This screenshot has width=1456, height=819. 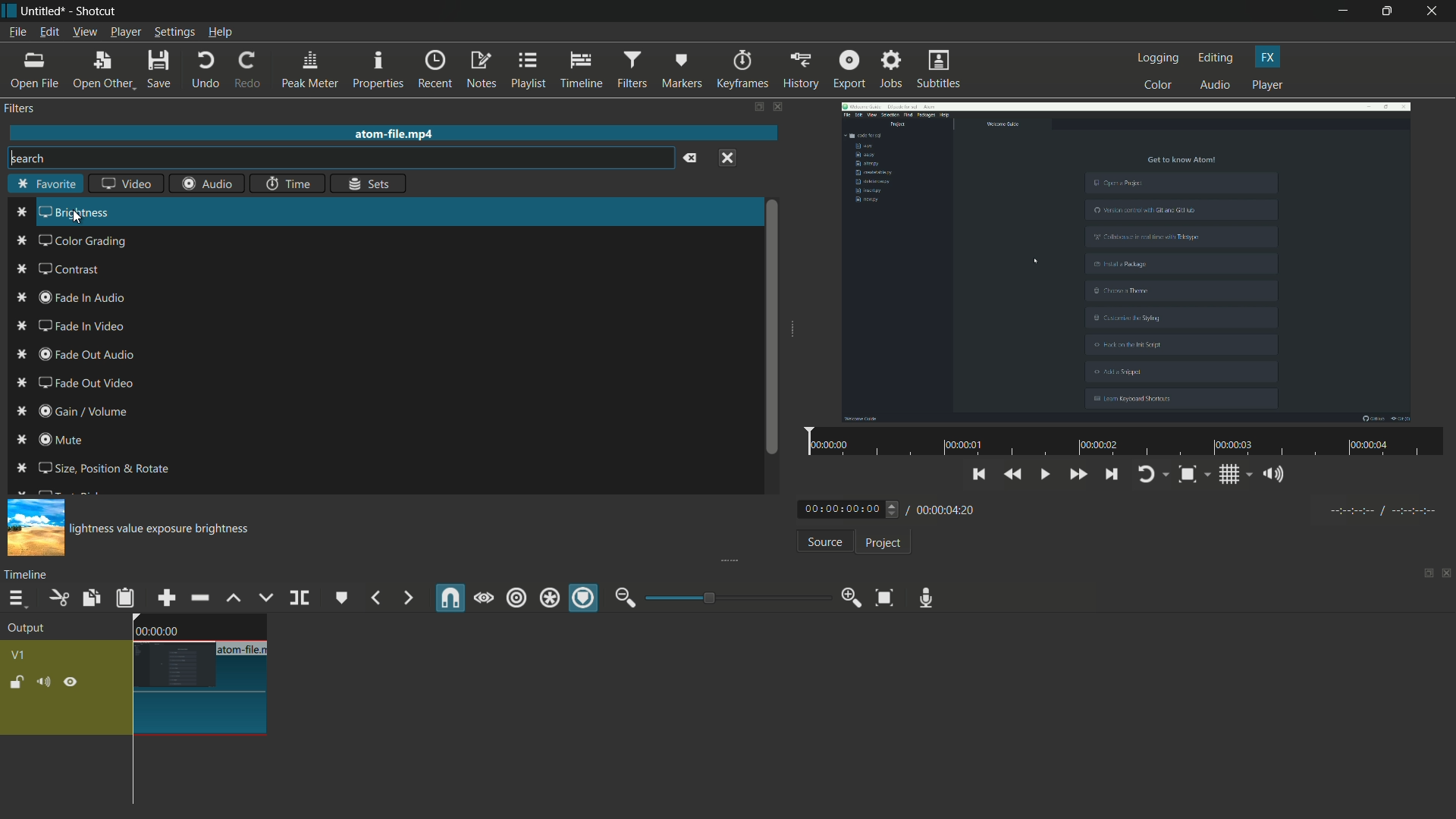 What do you see at coordinates (168, 530) in the screenshot?
I see `lightness value exposure brightness` at bounding box center [168, 530].